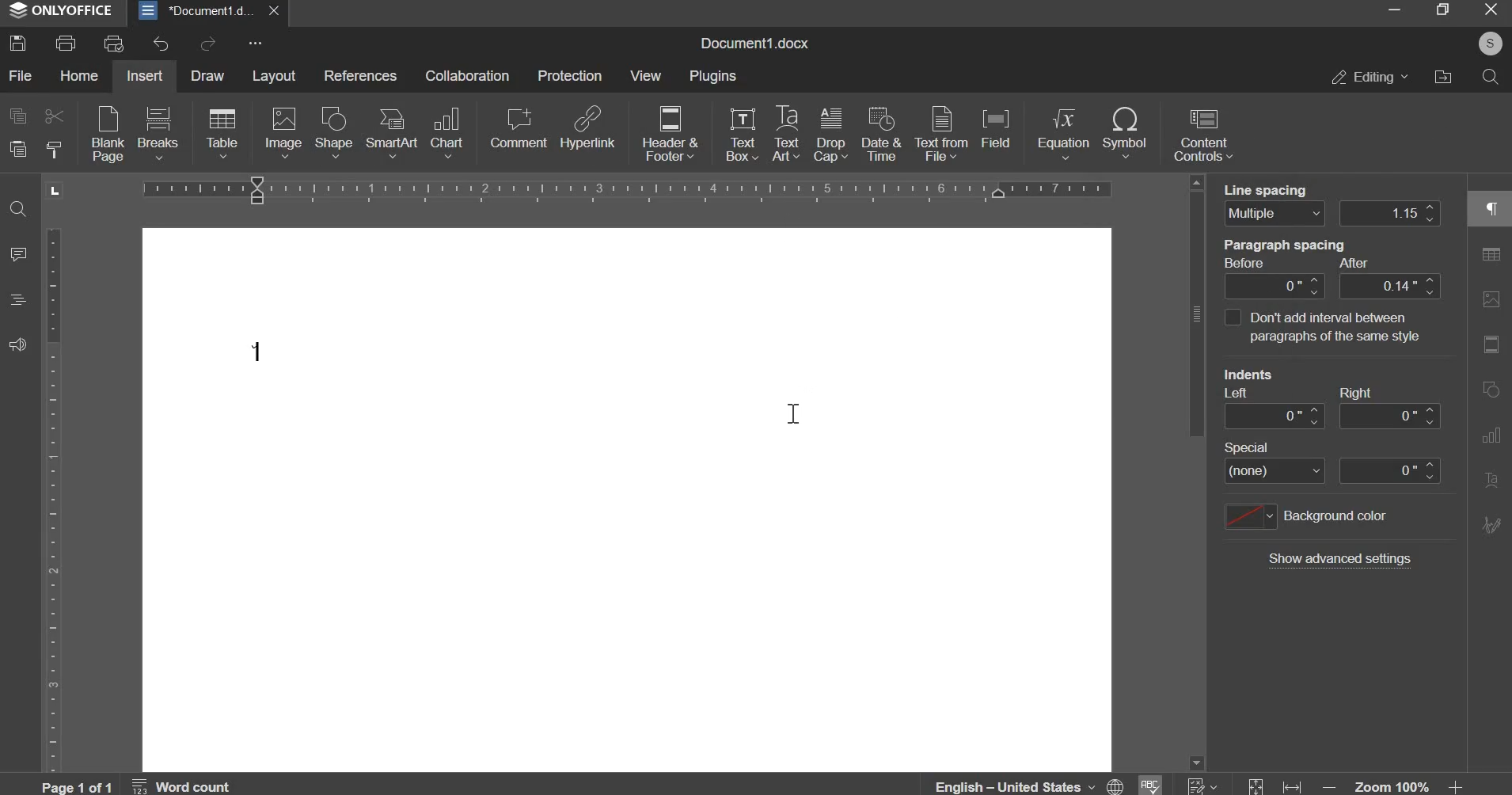 Image resolution: width=1512 pixels, height=795 pixels. What do you see at coordinates (394, 132) in the screenshot?
I see `smartart` at bounding box center [394, 132].